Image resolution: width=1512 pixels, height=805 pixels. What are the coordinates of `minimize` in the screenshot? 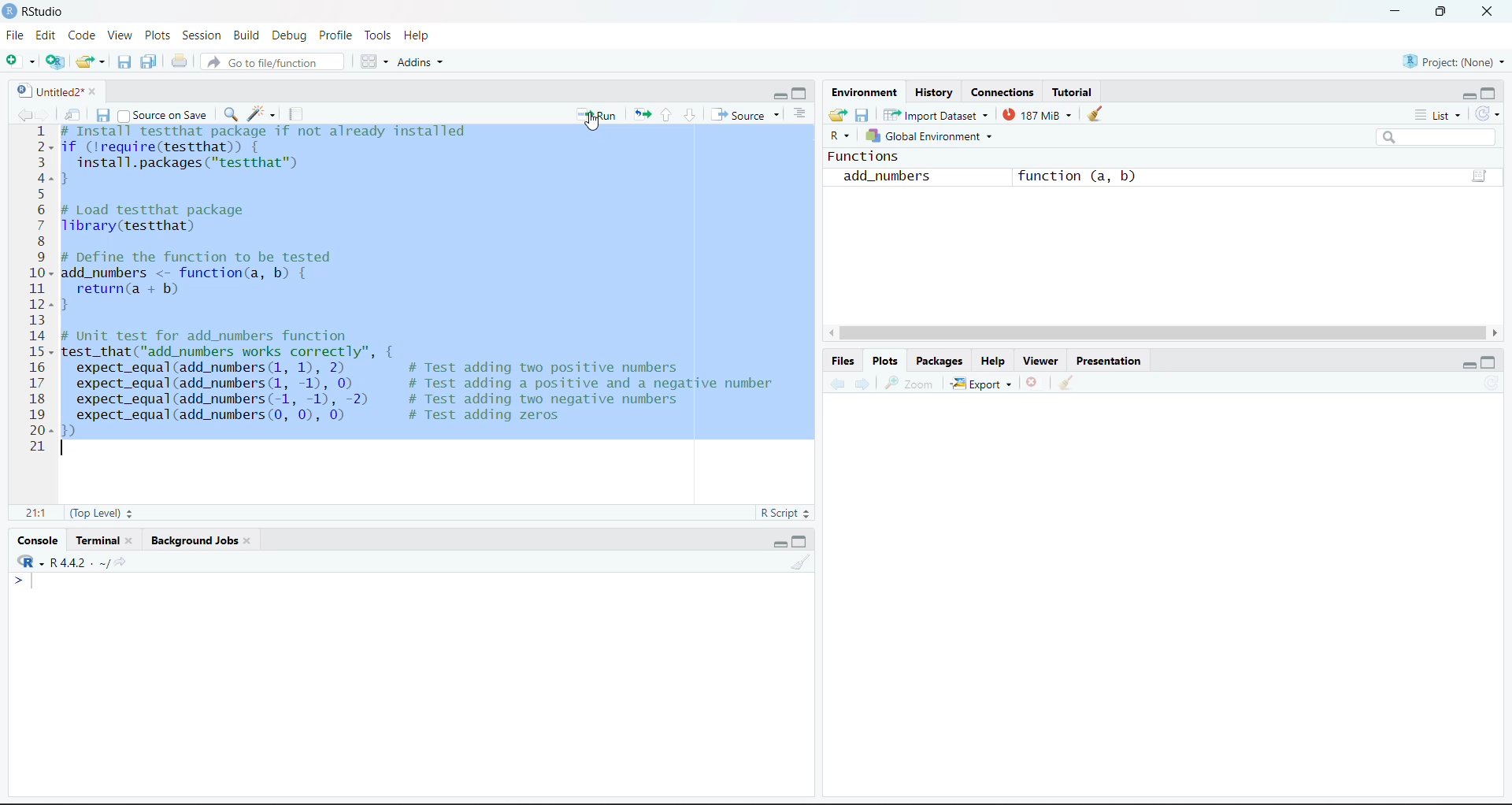 It's located at (1397, 9).